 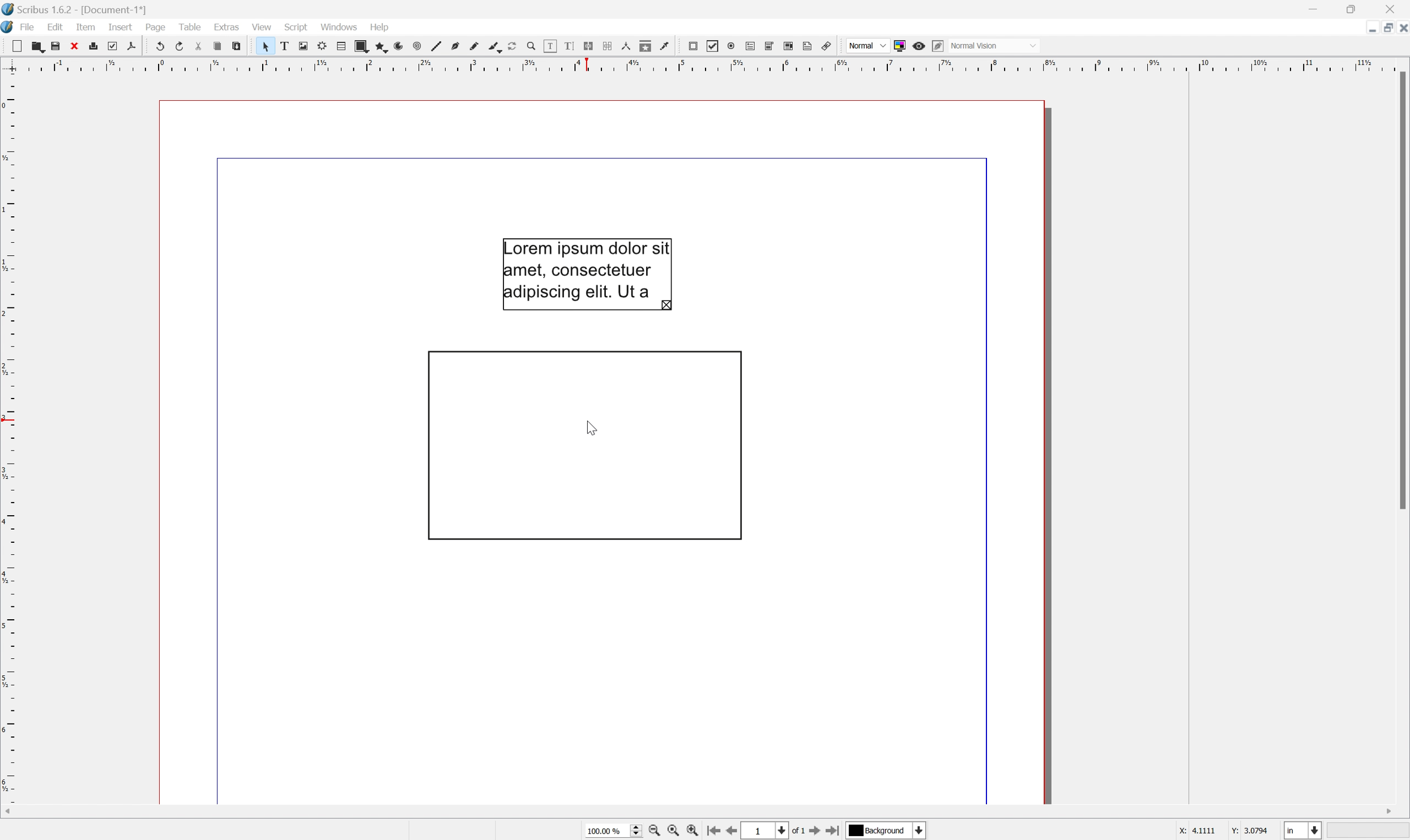 What do you see at coordinates (320, 48) in the screenshot?
I see `Render frame` at bounding box center [320, 48].